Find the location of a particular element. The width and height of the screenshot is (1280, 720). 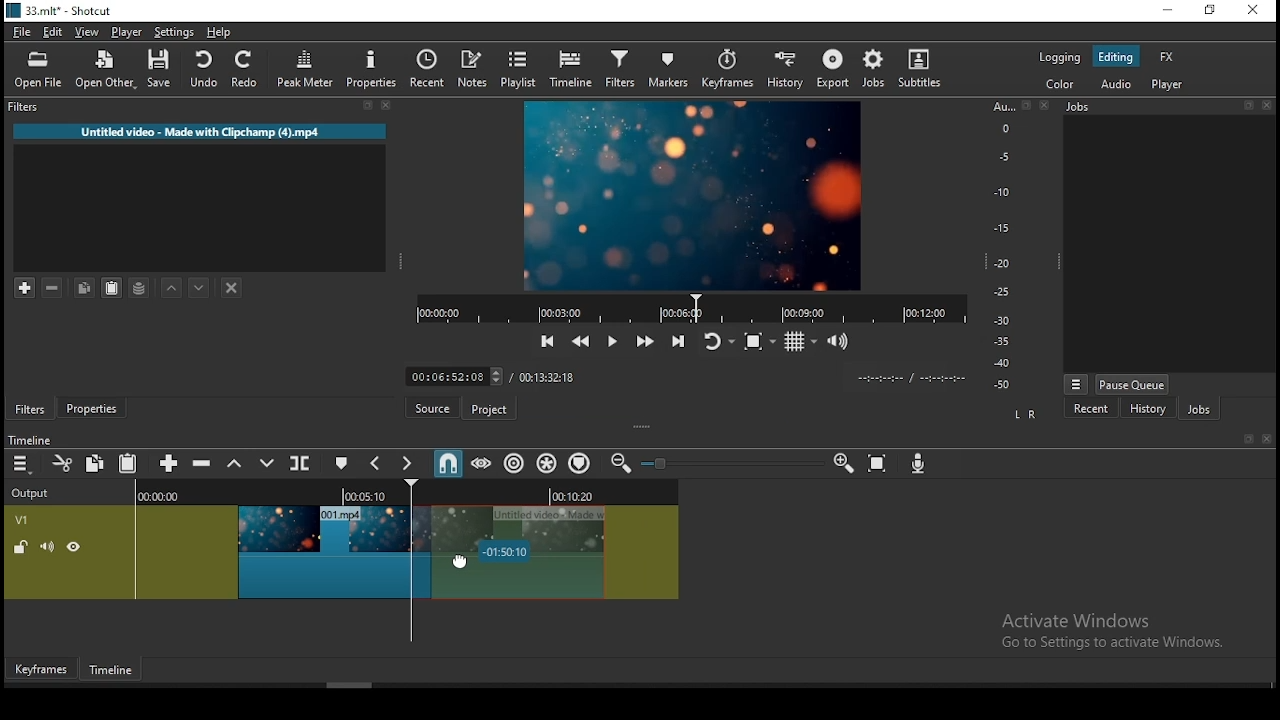

recent is located at coordinates (425, 69).